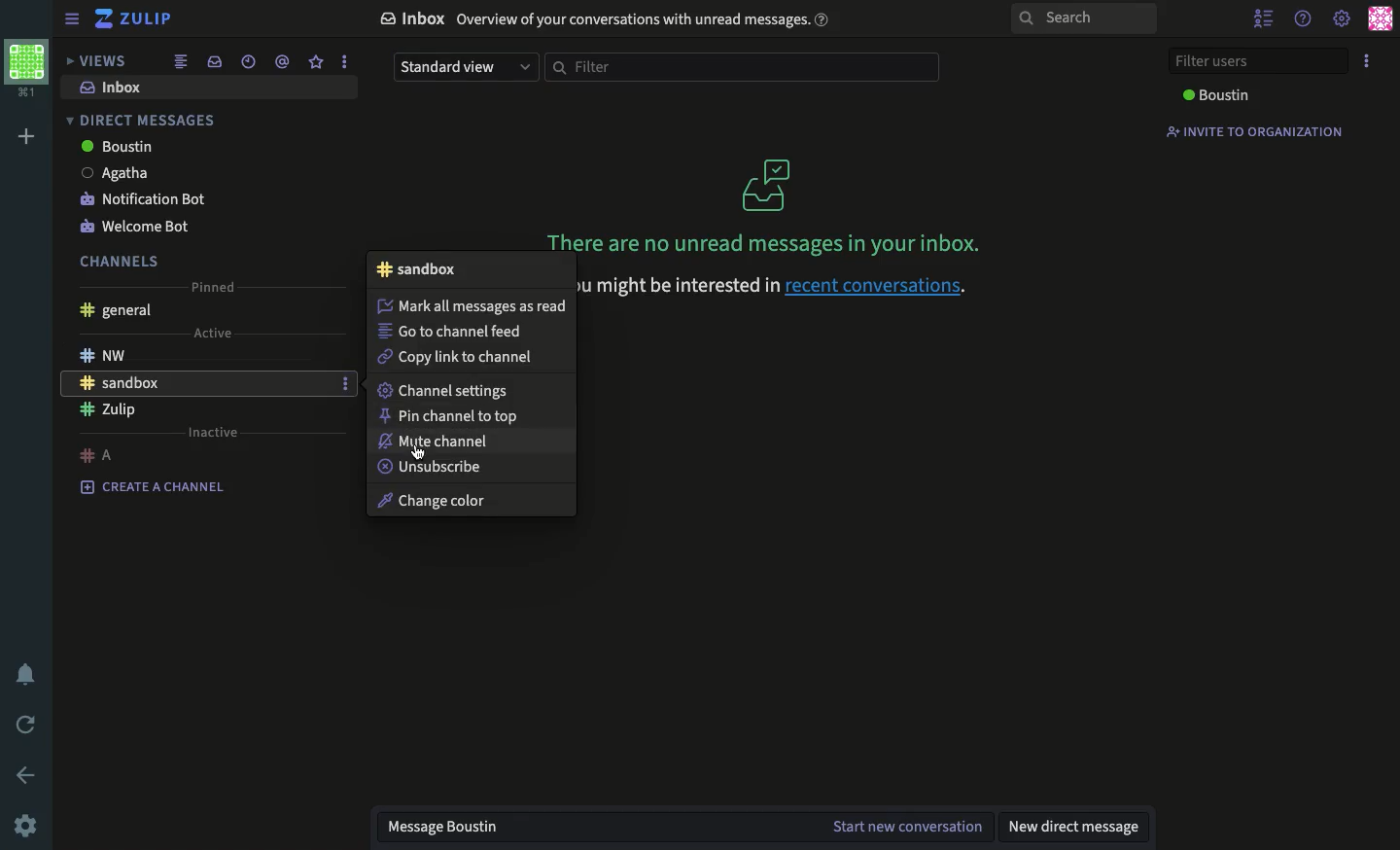 This screenshot has height=850, width=1400. I want to click on a, so click(97, 455).